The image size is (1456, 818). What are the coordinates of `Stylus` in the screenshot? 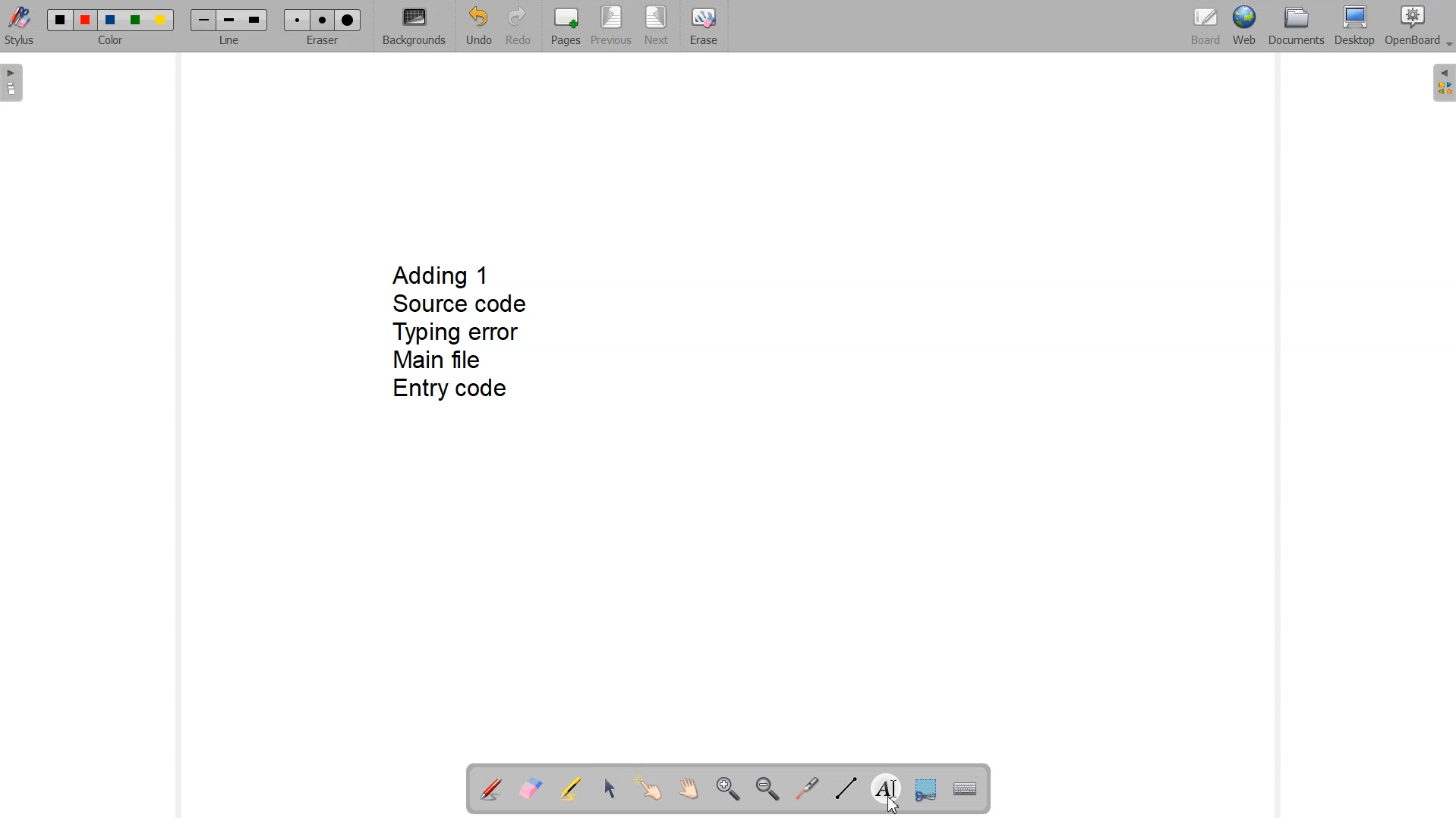 It's located at (20, 29).